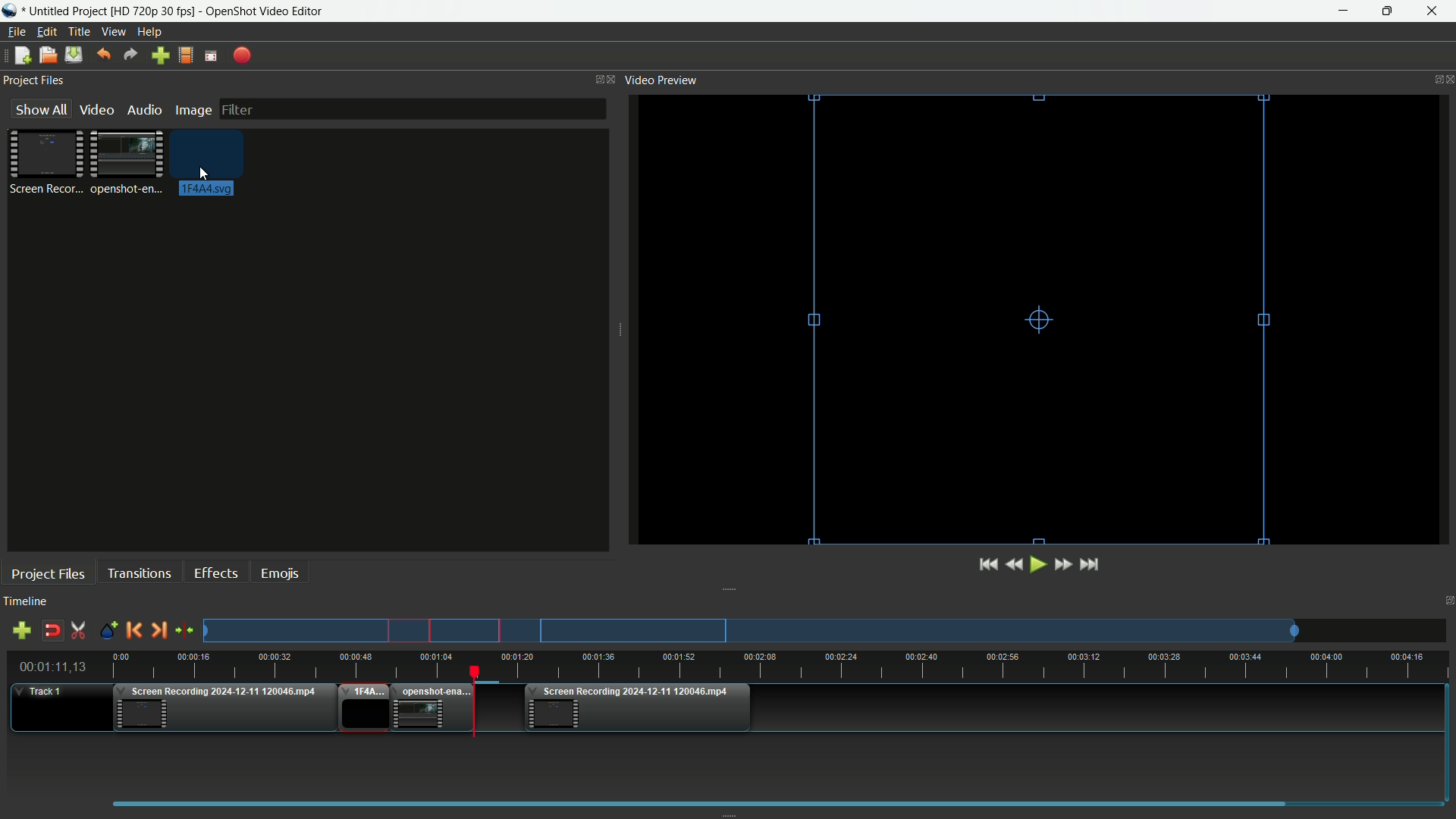 Image resolution: width=1456 pixels, height=819 pixels. What do you see at coordinates (184, 57) in the screenshot?
I see `Profile` at bounding box center [184, 57].